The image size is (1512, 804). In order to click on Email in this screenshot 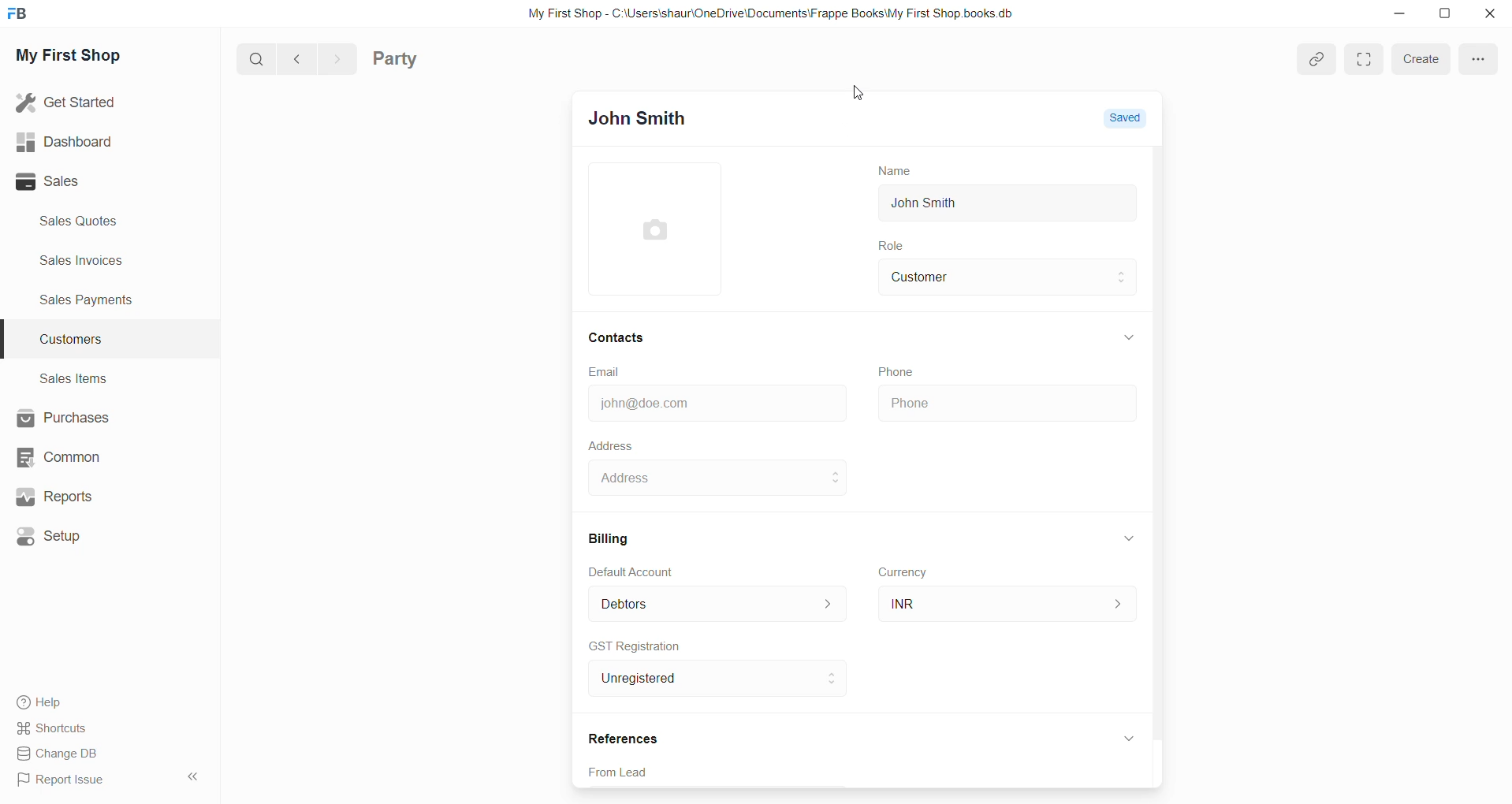, I will do `click(607, 371)`.